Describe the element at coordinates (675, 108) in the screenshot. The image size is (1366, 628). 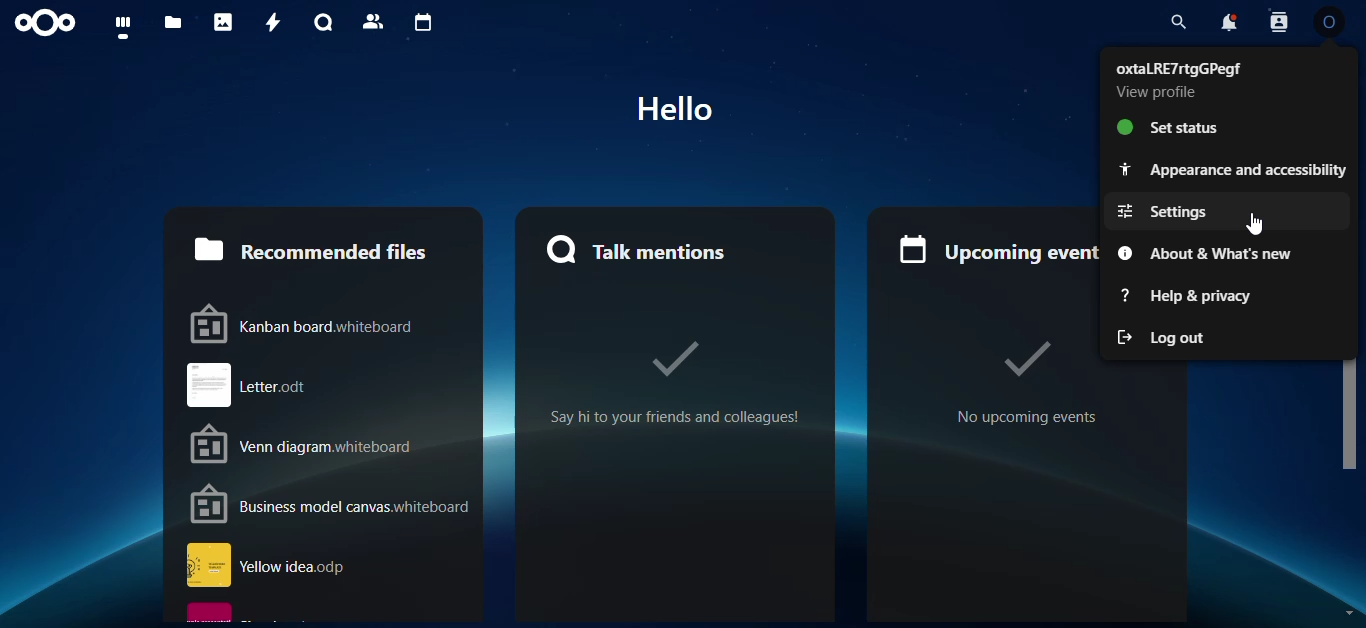
I see `hello` at that location.